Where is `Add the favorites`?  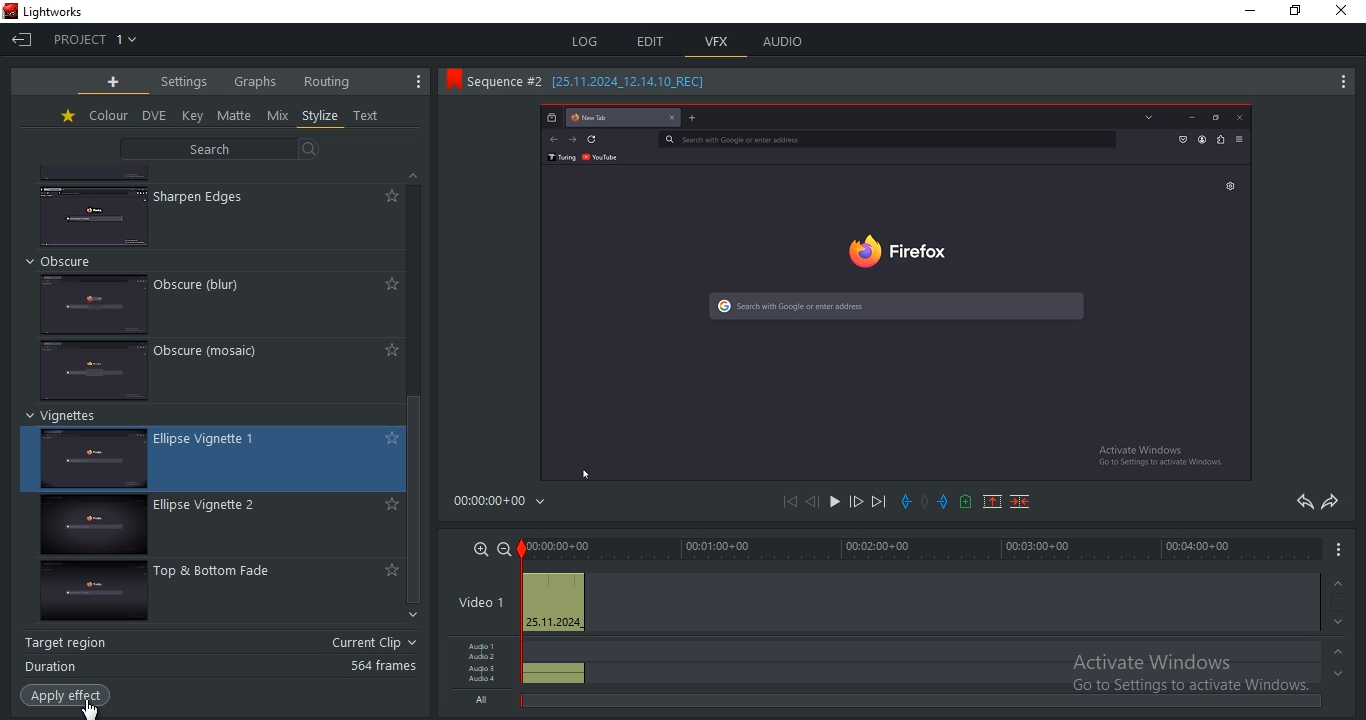
Add the favorites is located at coordinates (389, 569).